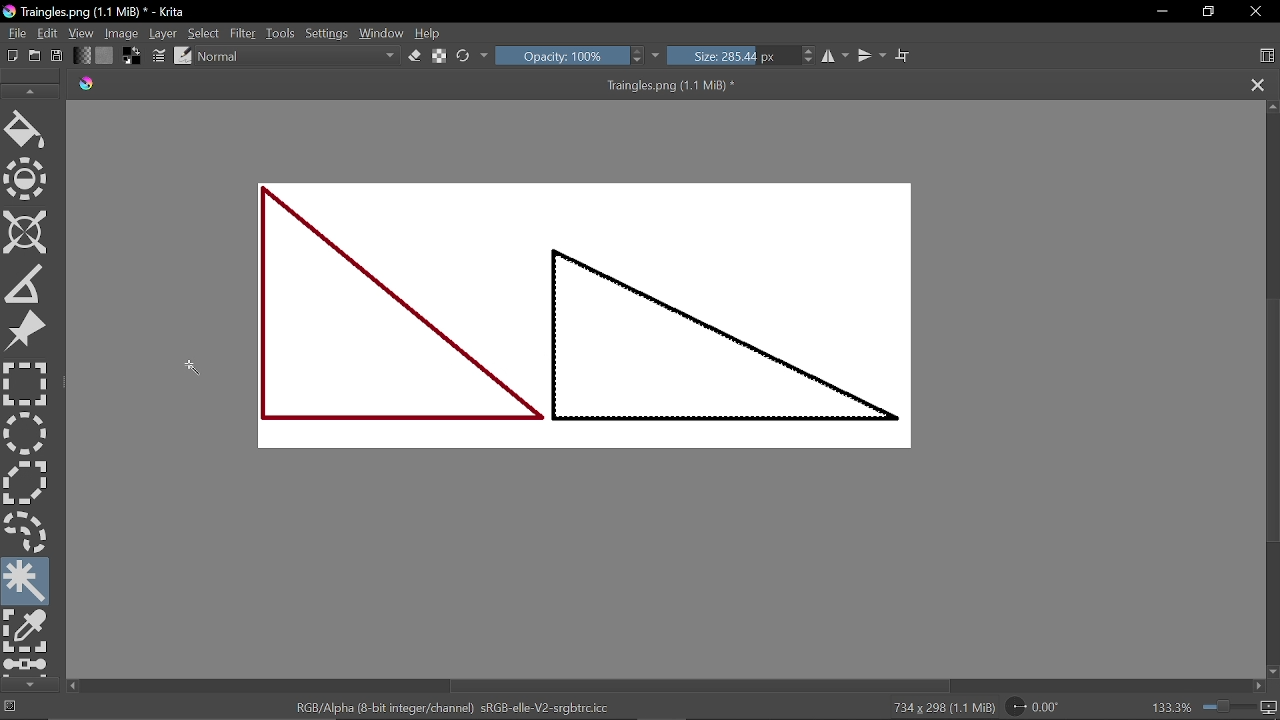 Image resolution: width=1280 pixels, height=720 pixels. Describe the element at coordinates (24, 285) in the screenshot. I see `Measure the distance between two points` at that location.